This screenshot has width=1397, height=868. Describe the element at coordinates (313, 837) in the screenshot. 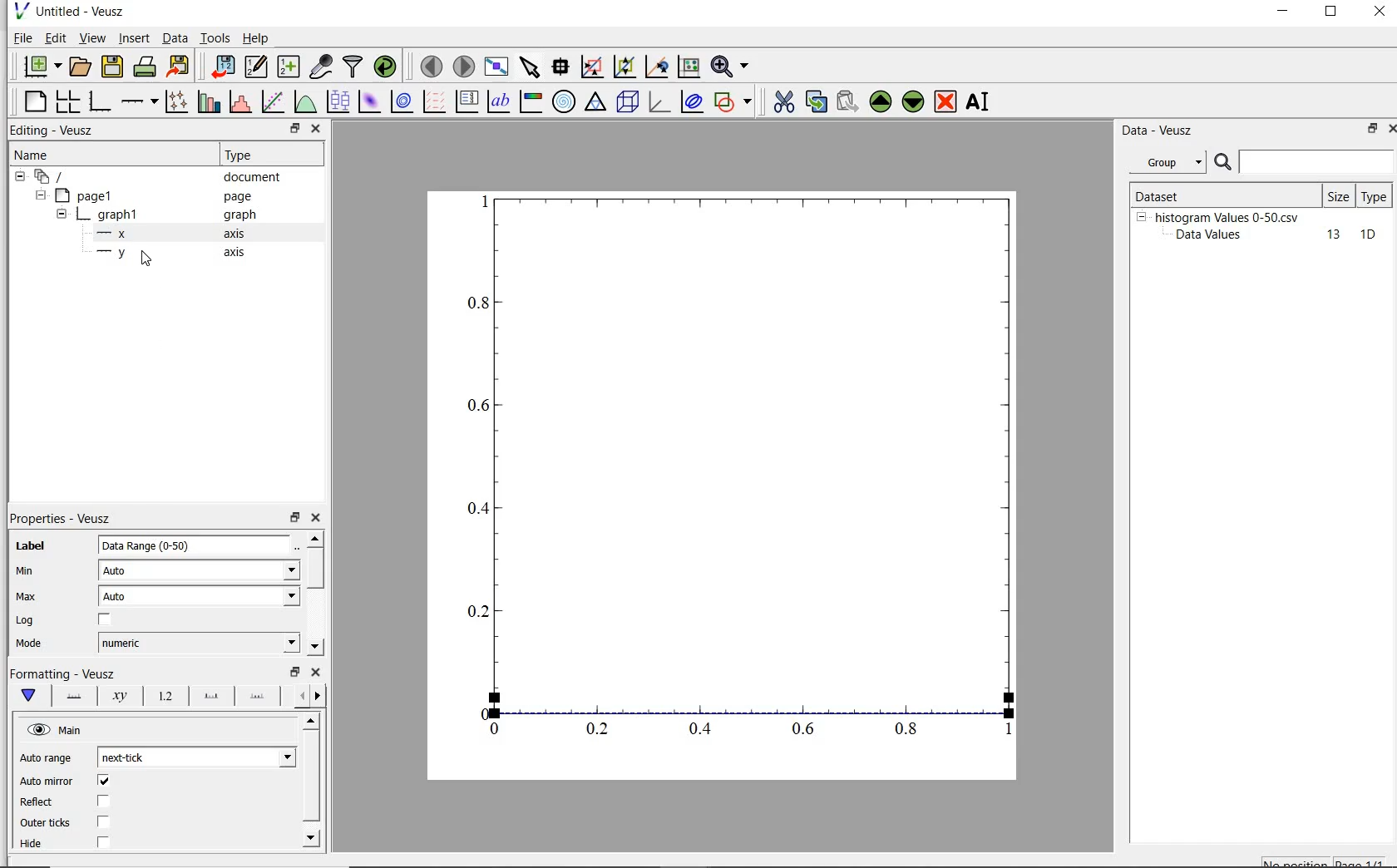

I see `move down` at that location.